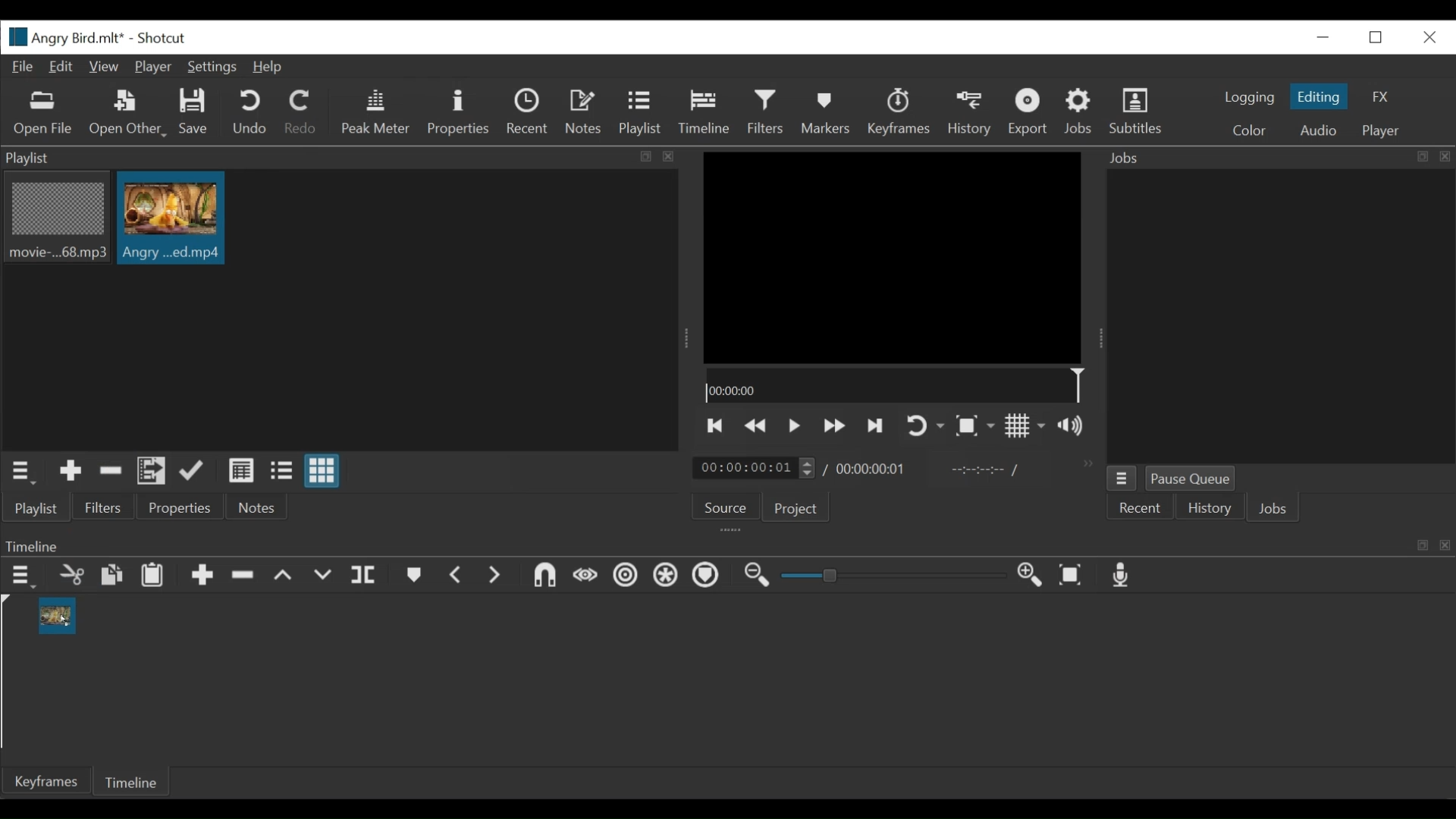  I want to click on Next Marker, so click(497, 577).